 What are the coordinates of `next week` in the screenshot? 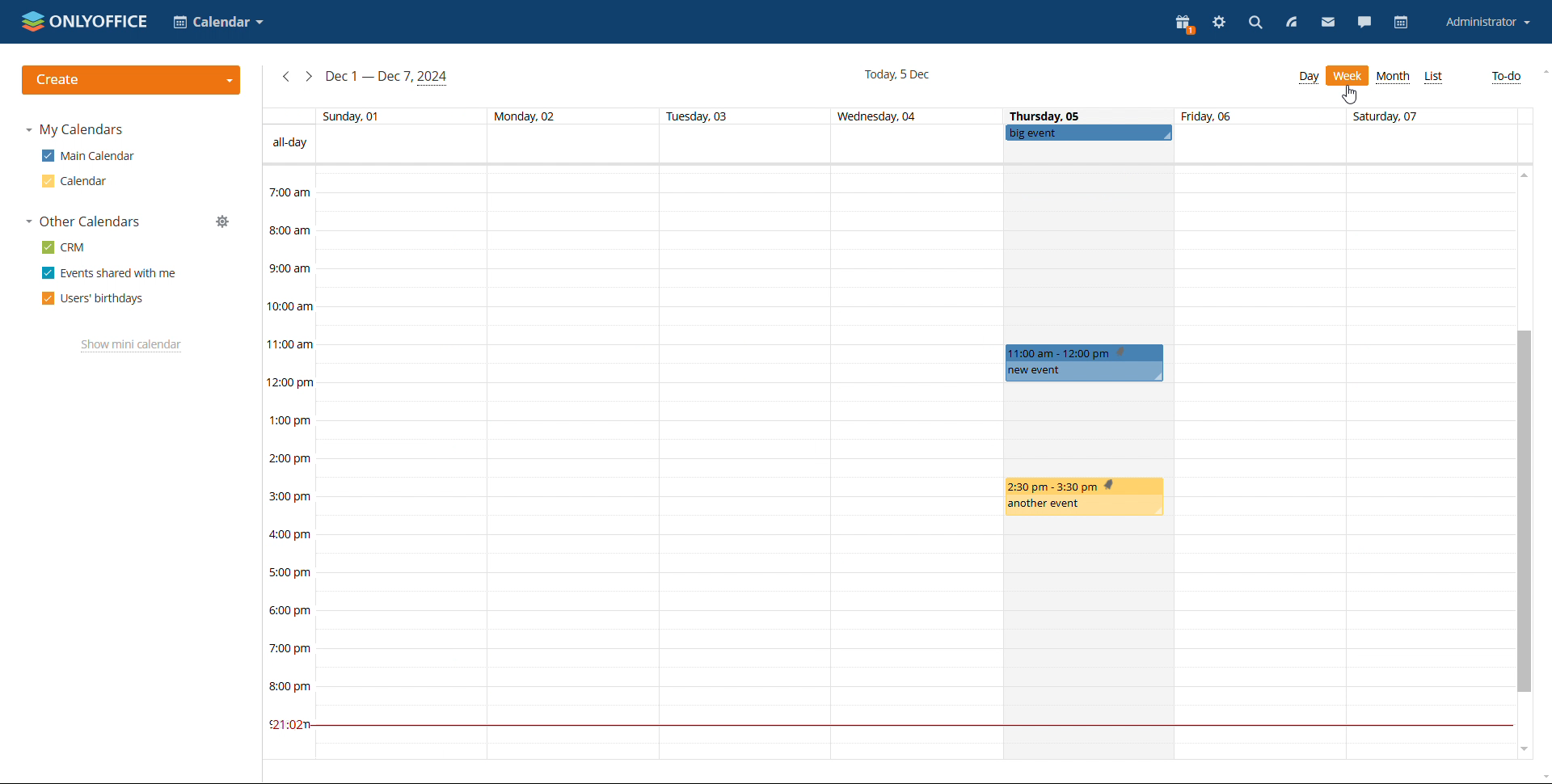 It's located at (308, 76).